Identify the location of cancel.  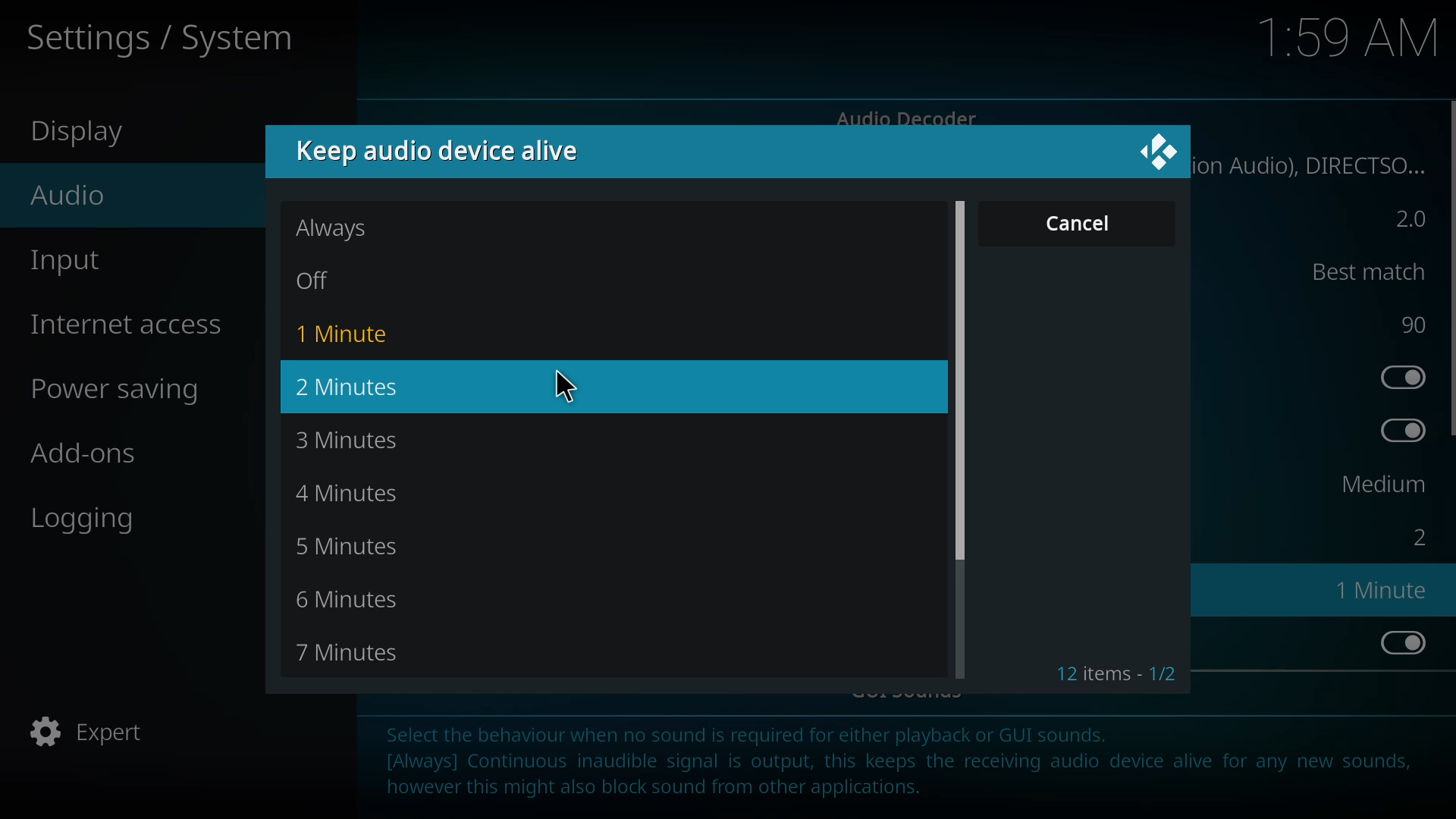
(1079, 223).